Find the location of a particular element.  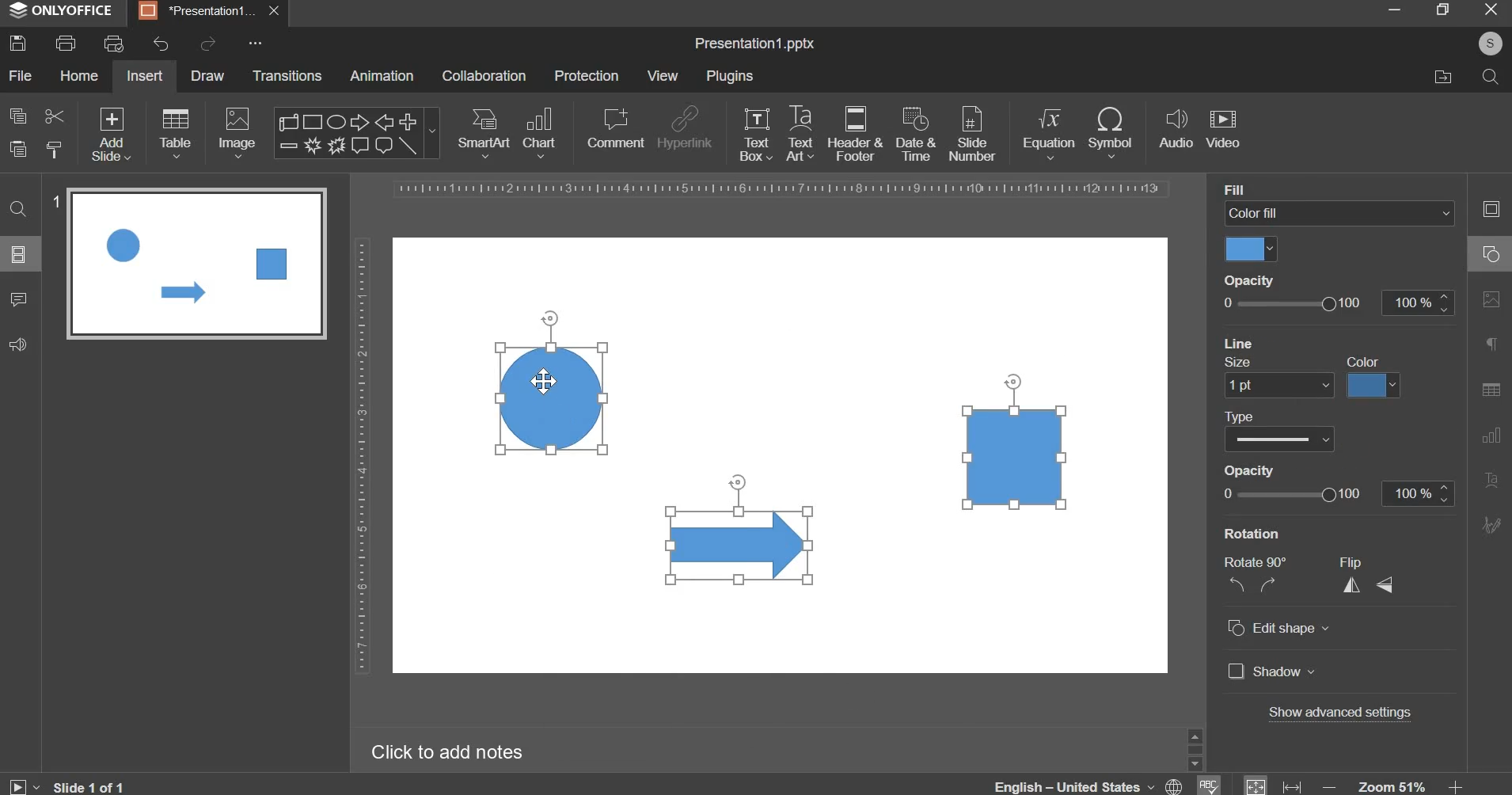

feedback is located at coordinates (17, 344).